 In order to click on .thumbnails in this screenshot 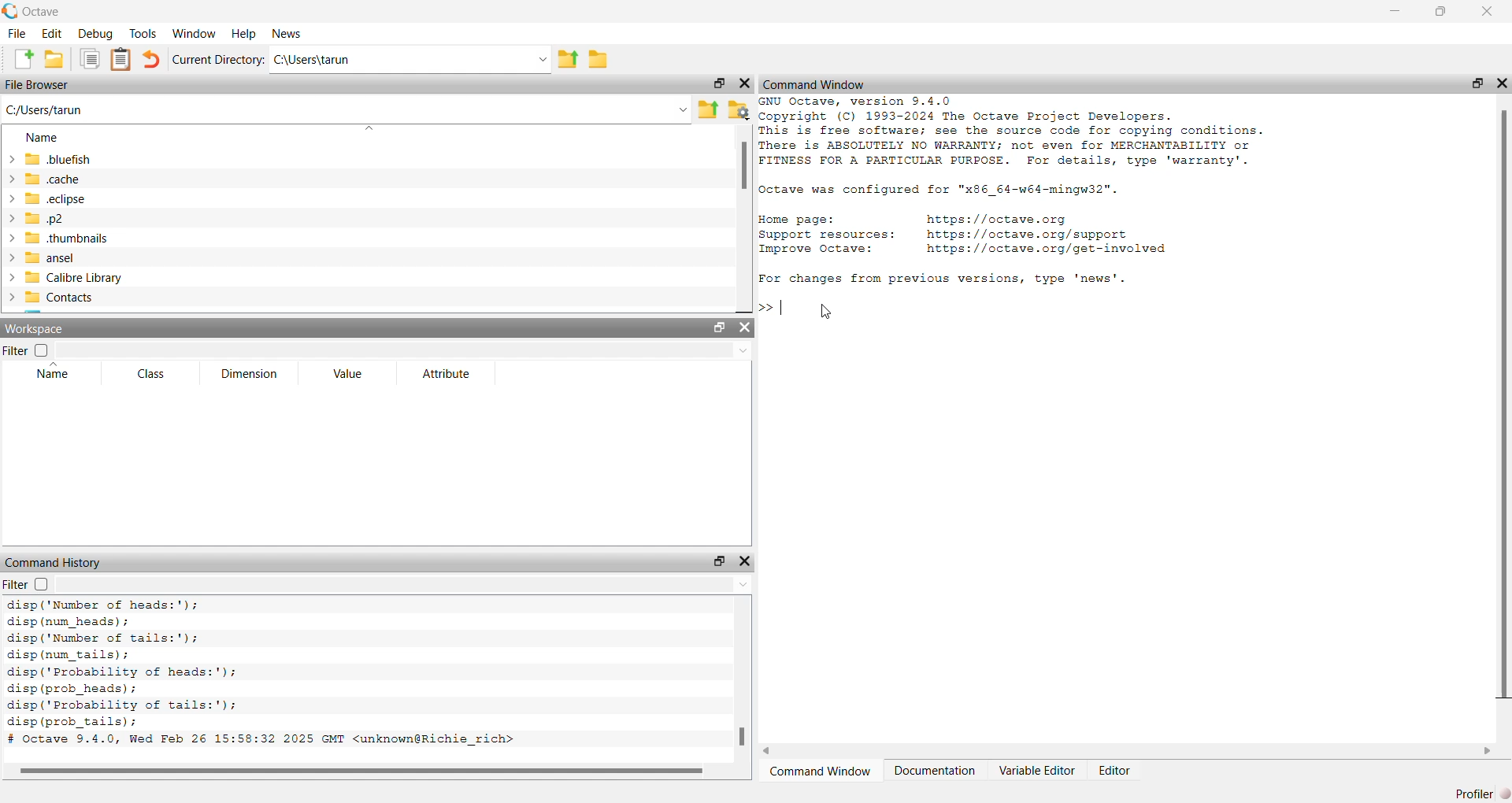, I will do `click(66, 237)`.